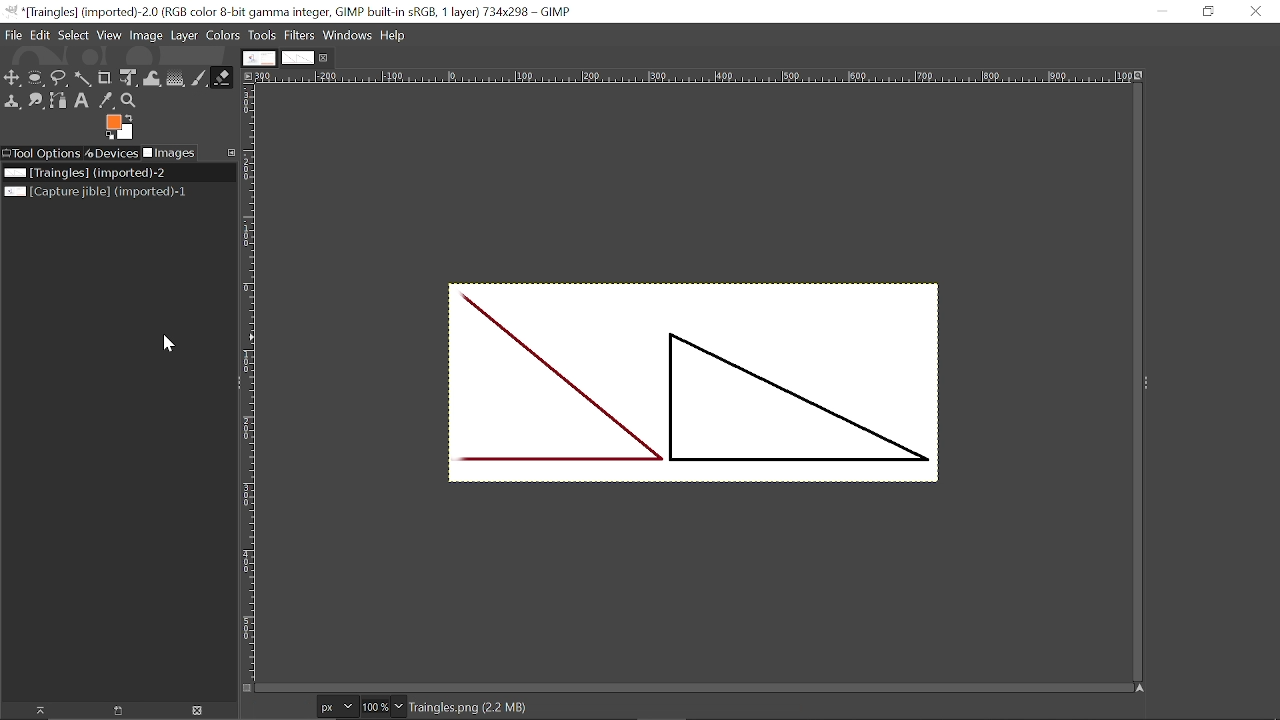 The width and height of the screenshot is (1280, 720). Describe the element at coordinates (103, 78) in the screenshot. I see `Crop tool` at that location.